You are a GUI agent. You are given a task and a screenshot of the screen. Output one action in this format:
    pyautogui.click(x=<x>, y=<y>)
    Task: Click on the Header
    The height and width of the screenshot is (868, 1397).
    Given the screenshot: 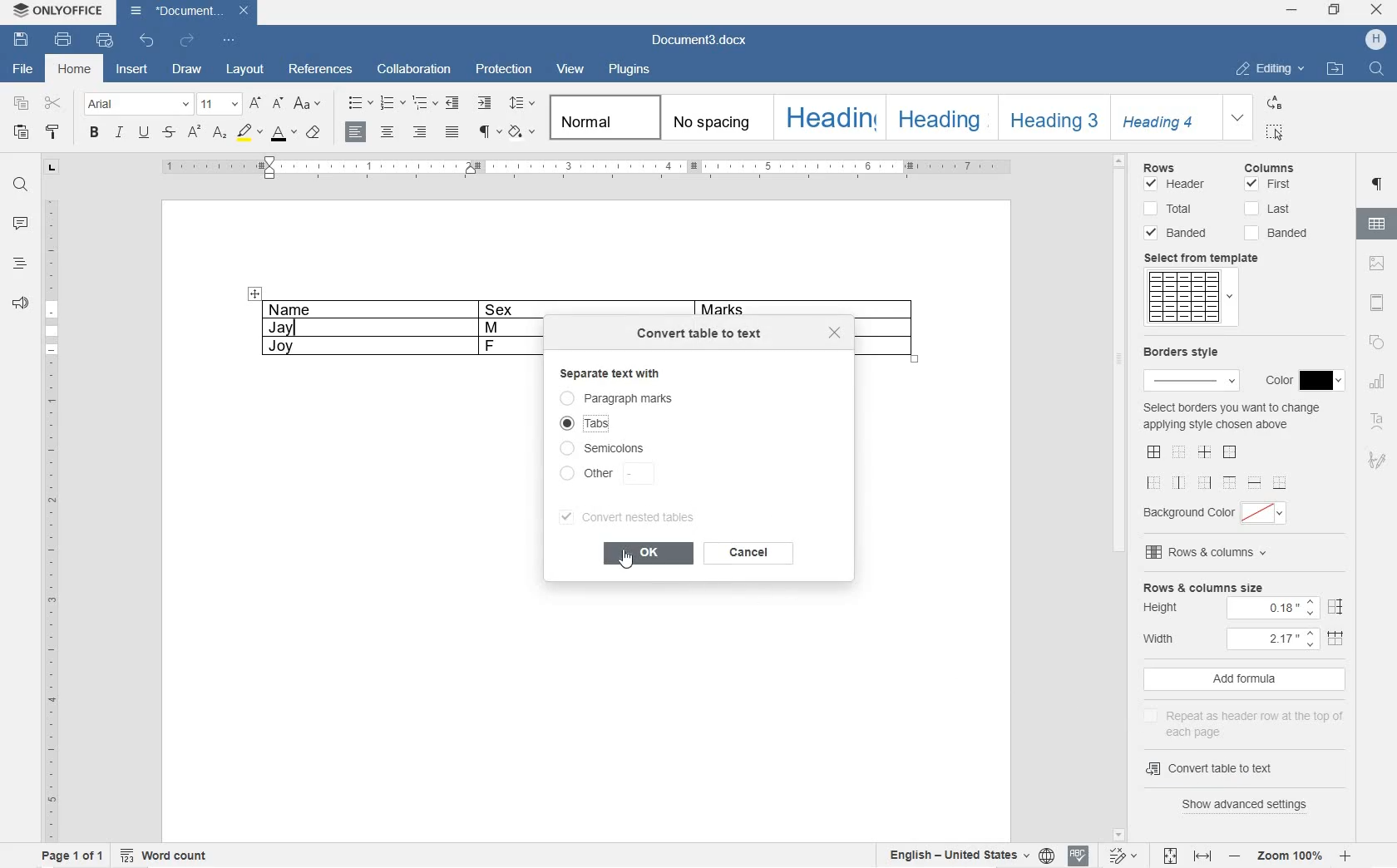 What is the action you would take?
    pyautogui.click(x=1175, y=185)
    